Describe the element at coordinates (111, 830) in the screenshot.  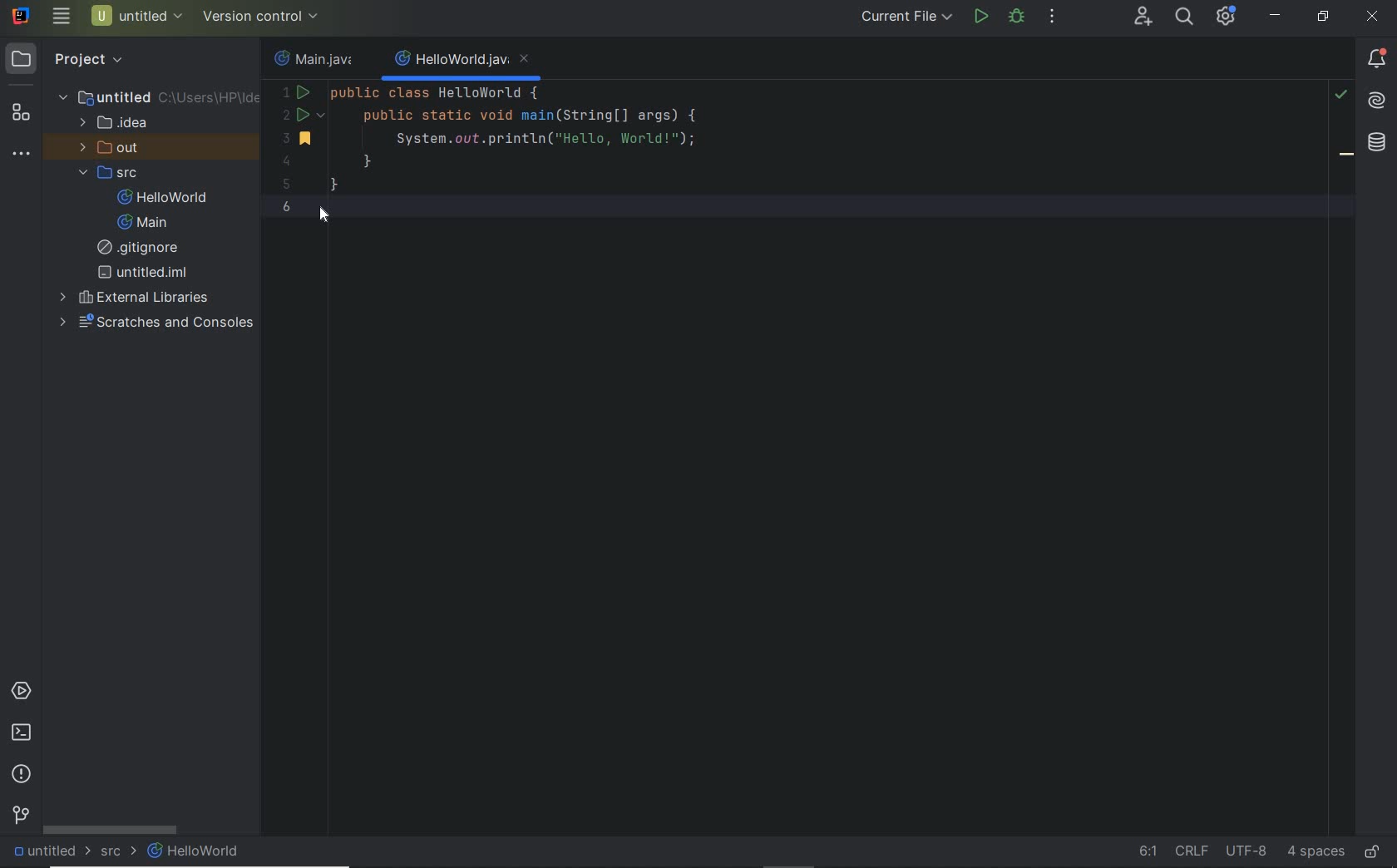
I see `scrollbar` at that location.